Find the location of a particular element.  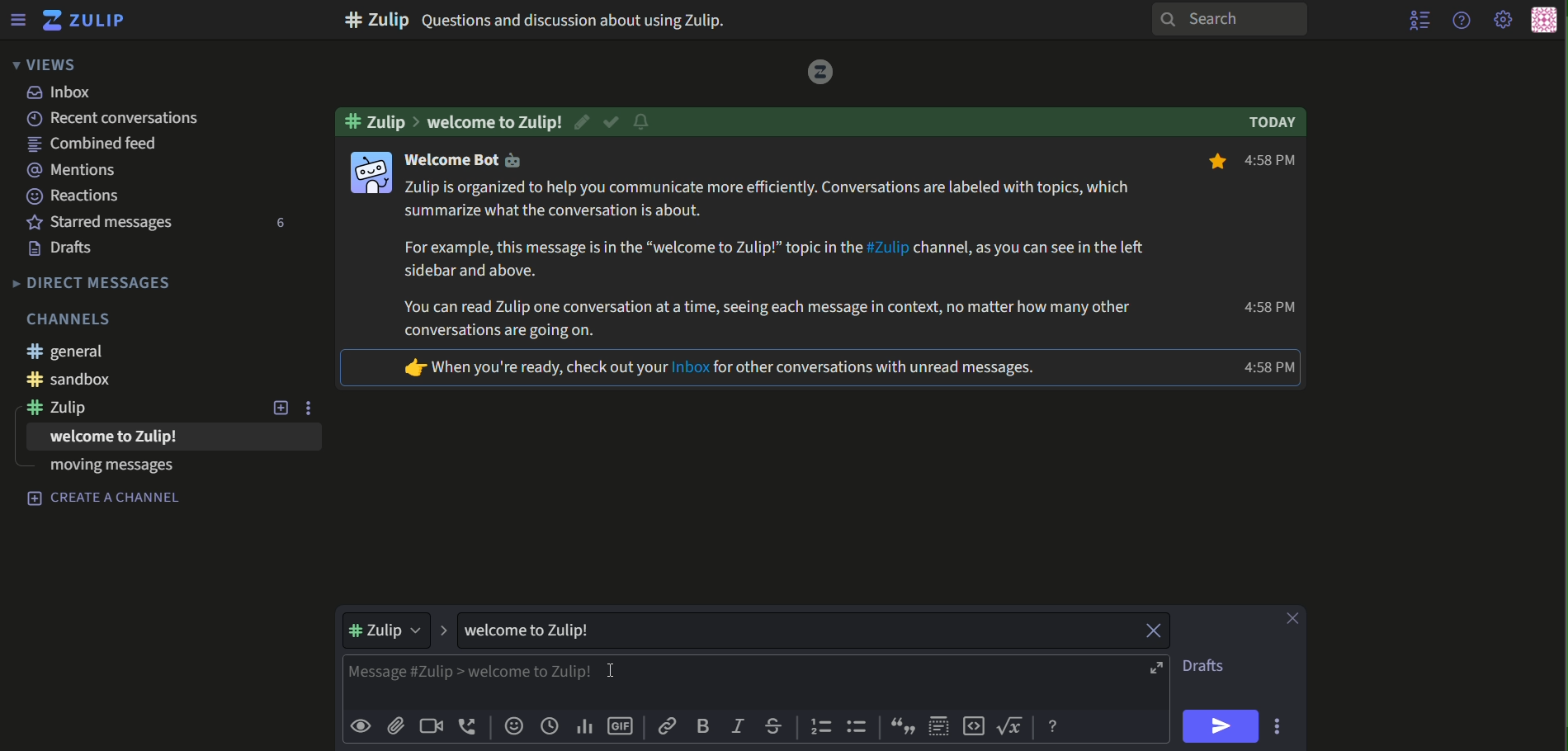

text is located at coordinates (1211, 667).